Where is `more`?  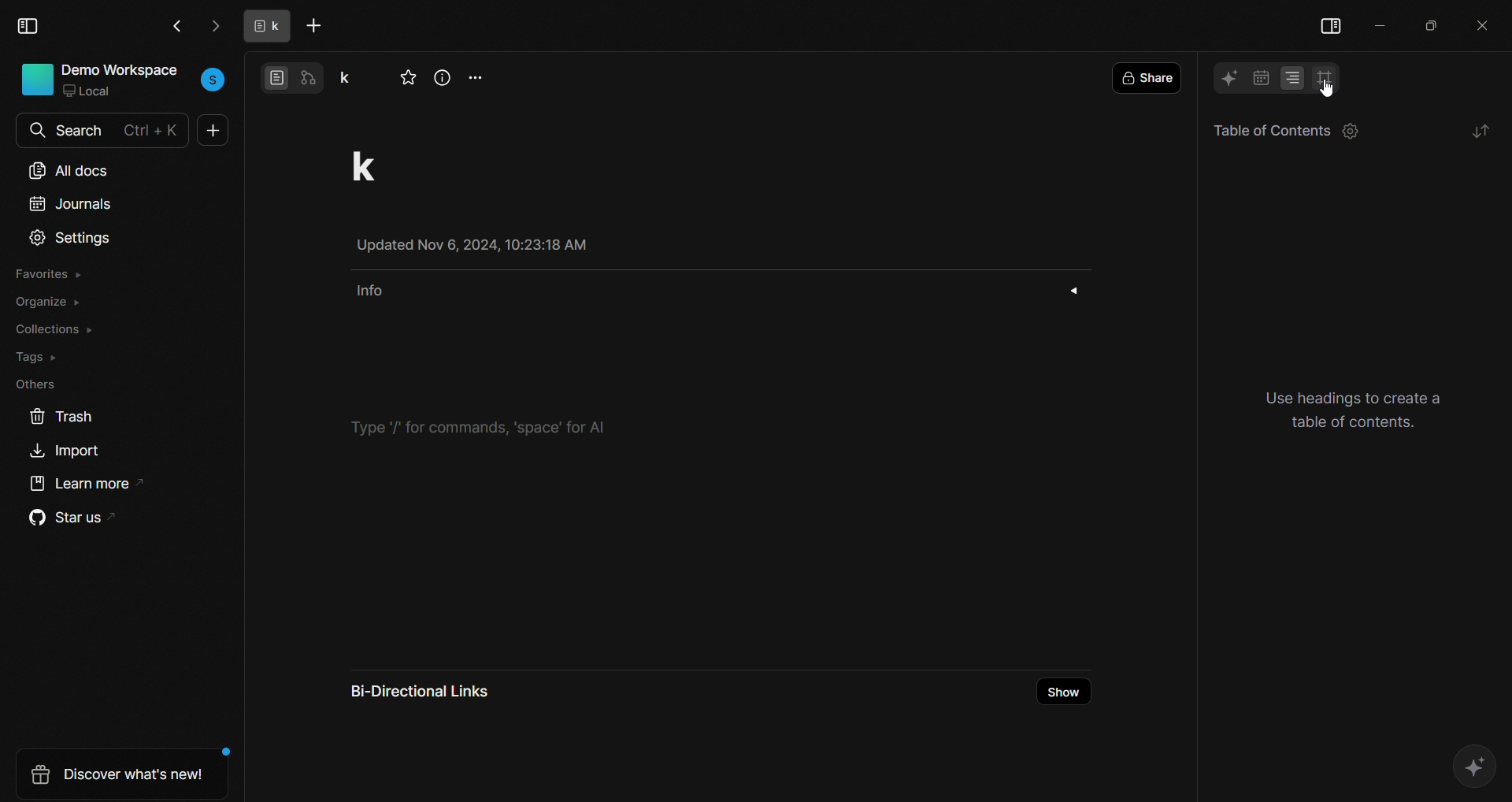
more is located at coordinates (479, 75).